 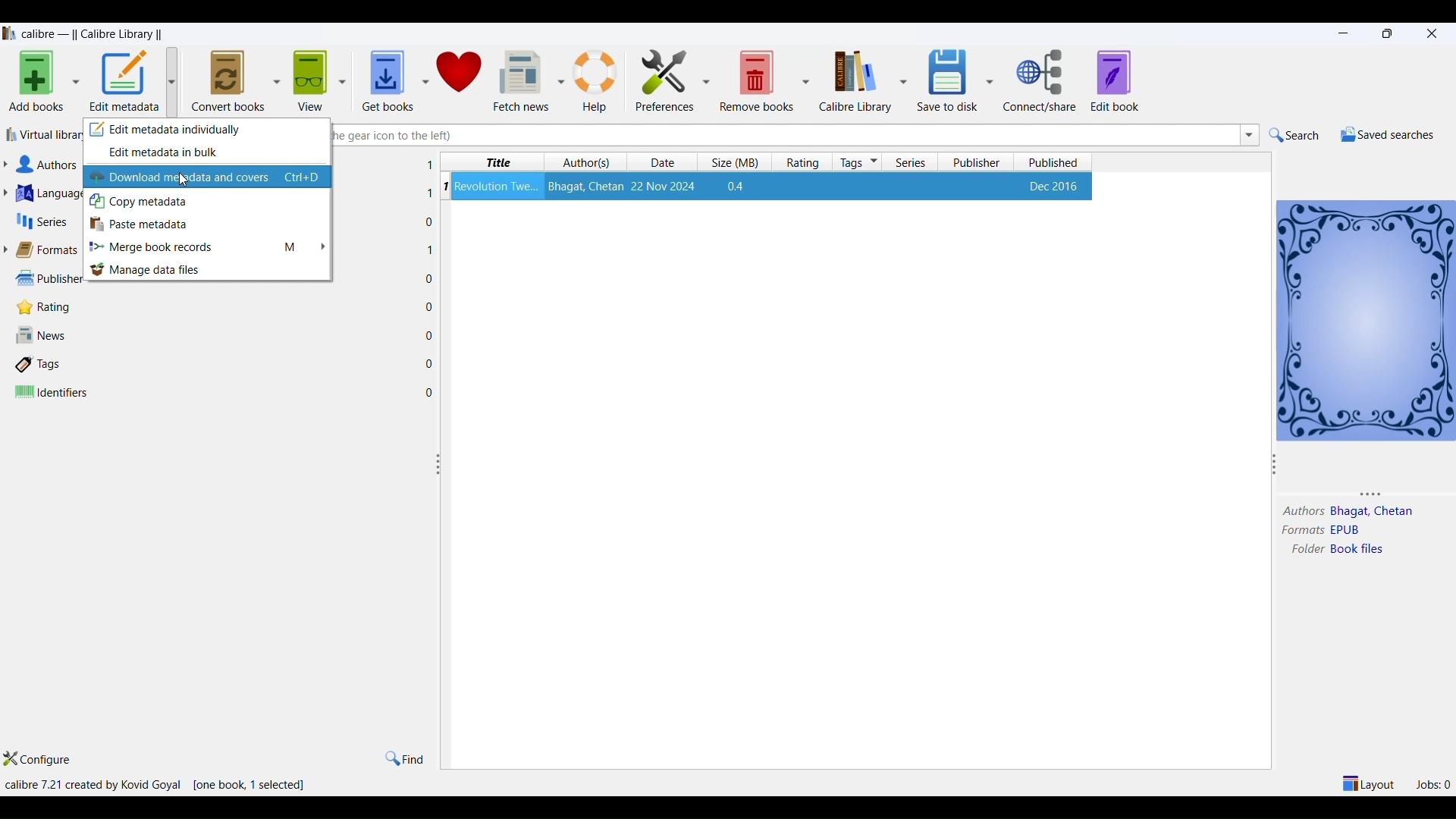 I want to click on paste metadata, so click(x=211, y=225).